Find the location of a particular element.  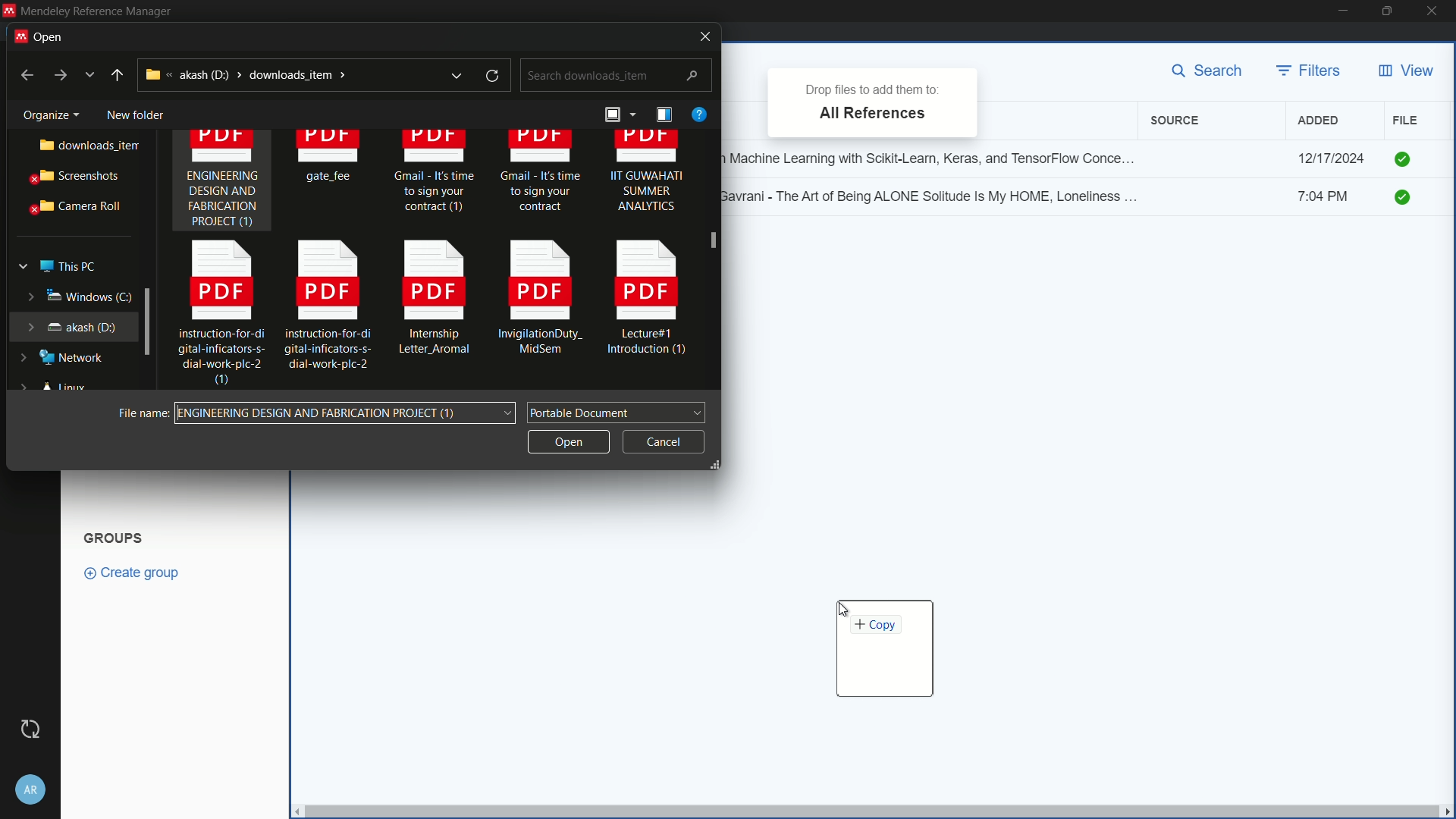

camera roll is located at coordinates (72, 207).